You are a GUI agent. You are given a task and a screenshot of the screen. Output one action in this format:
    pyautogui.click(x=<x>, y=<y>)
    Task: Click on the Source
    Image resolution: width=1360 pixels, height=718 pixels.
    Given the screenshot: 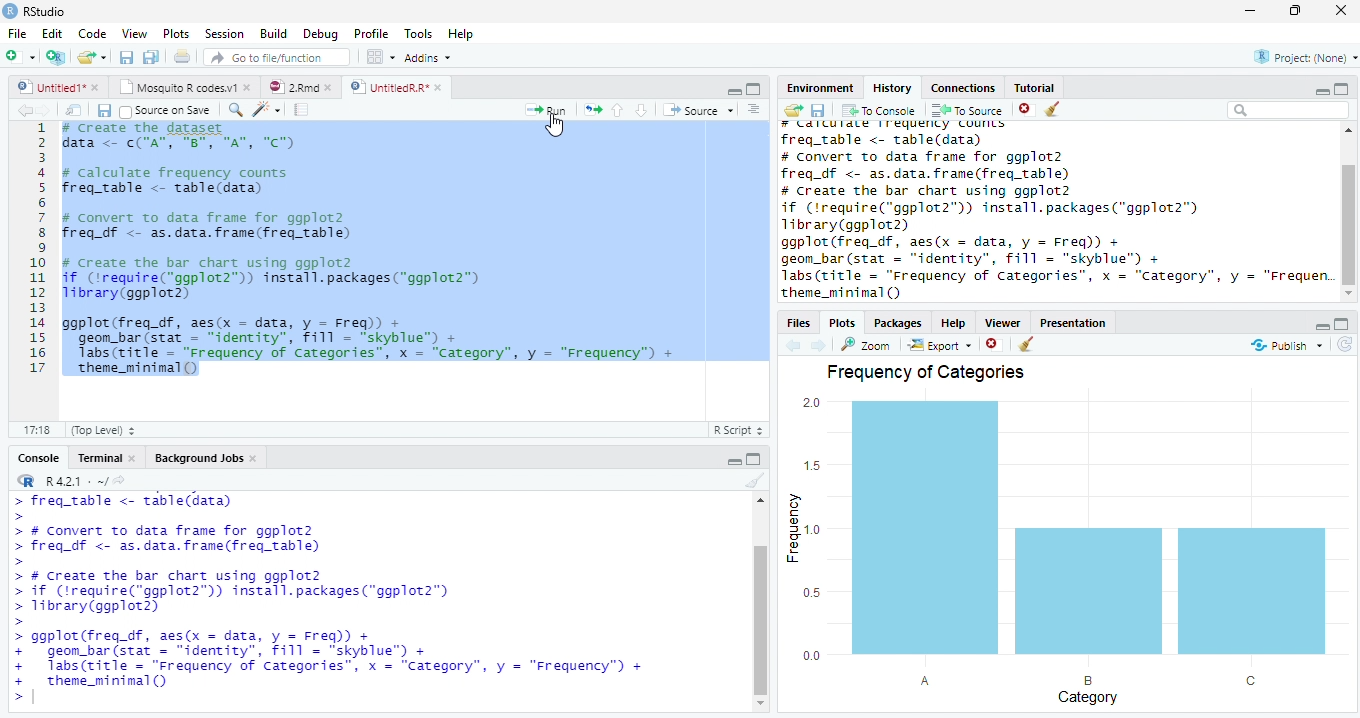 What is the action you would take?
    pyautogui.click(x=701, y=111)
    